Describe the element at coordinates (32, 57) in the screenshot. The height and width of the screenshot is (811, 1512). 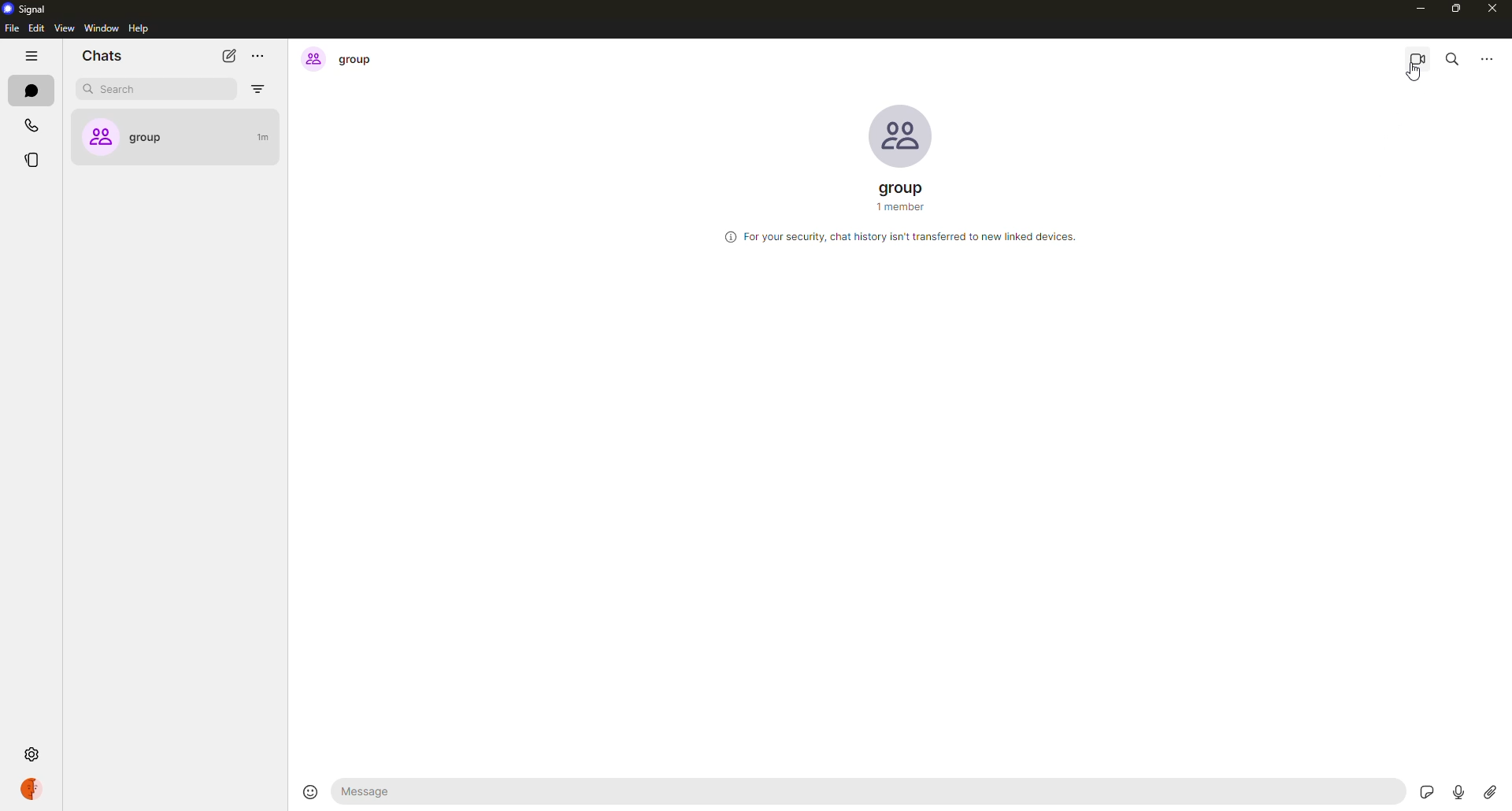
I see `hide tabs` at that location.